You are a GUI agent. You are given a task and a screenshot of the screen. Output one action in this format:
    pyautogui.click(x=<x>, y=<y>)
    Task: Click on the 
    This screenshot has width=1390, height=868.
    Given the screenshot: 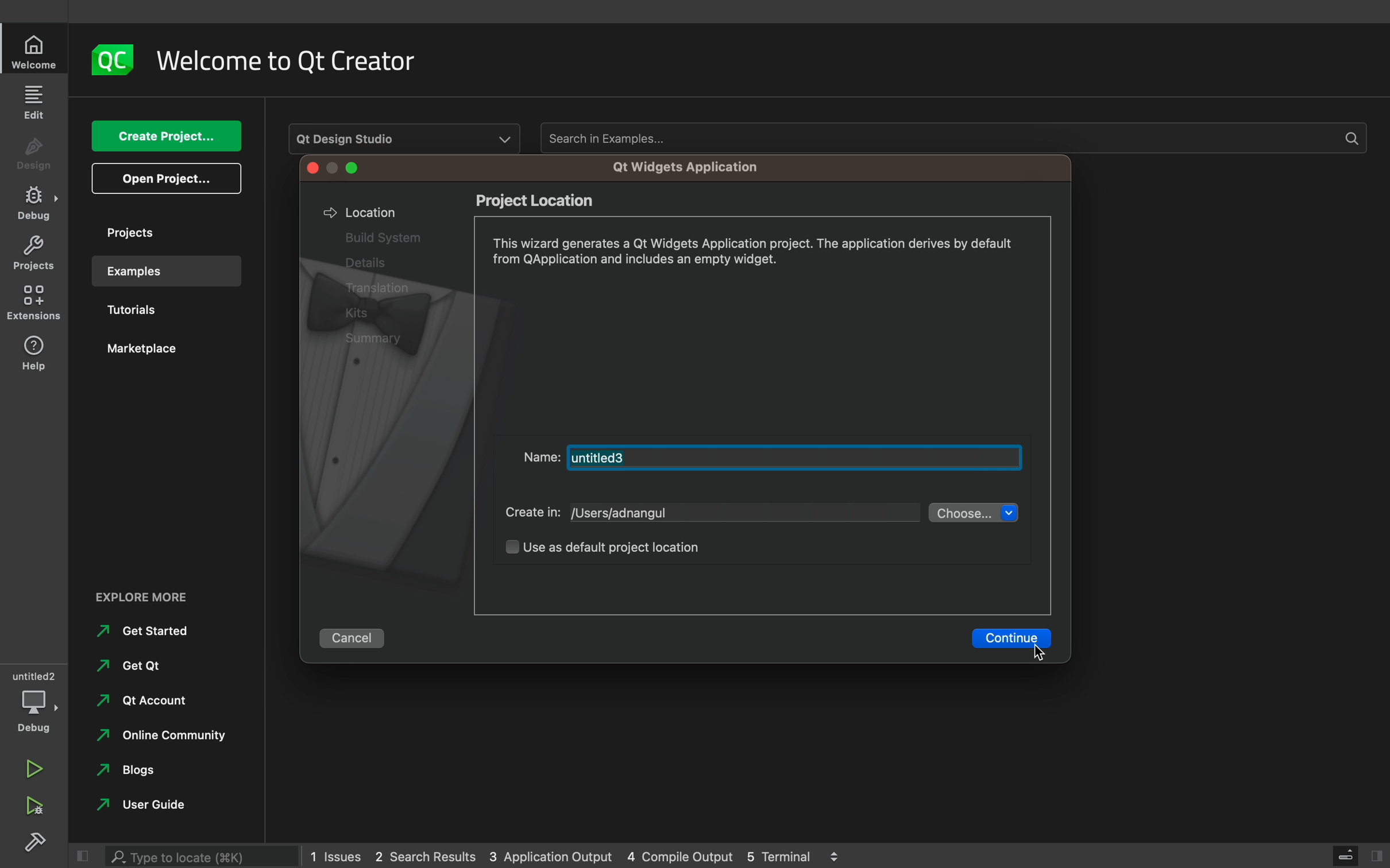 What is the action you would take?
    pyautogui.click(x=128, y=666)
    